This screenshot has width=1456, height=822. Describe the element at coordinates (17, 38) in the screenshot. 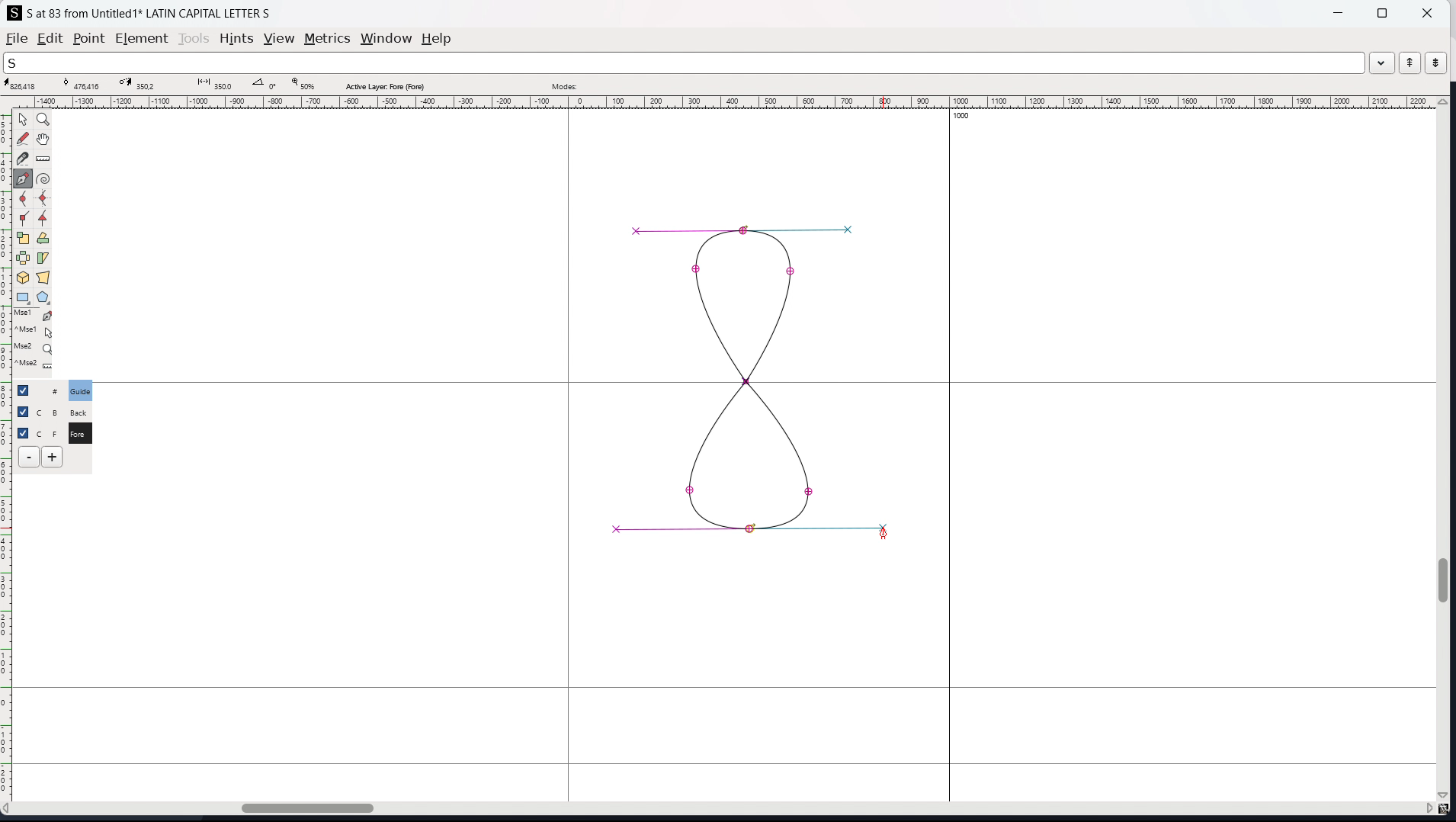

I see `file` at that location.